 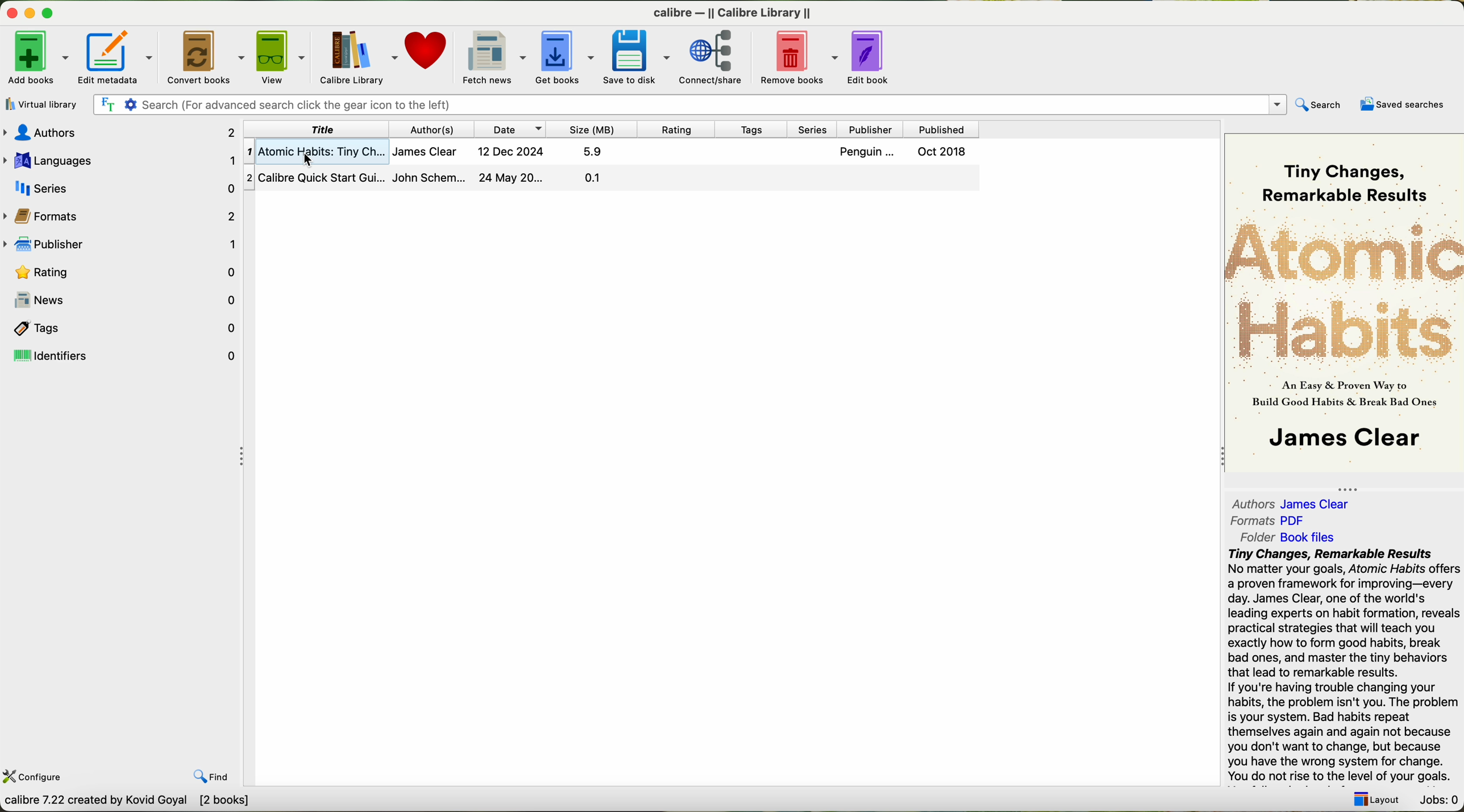 What do you see at coordinates (1345, 667) in the screenshot?
I see `summary` at bounding box center [1345, 667].